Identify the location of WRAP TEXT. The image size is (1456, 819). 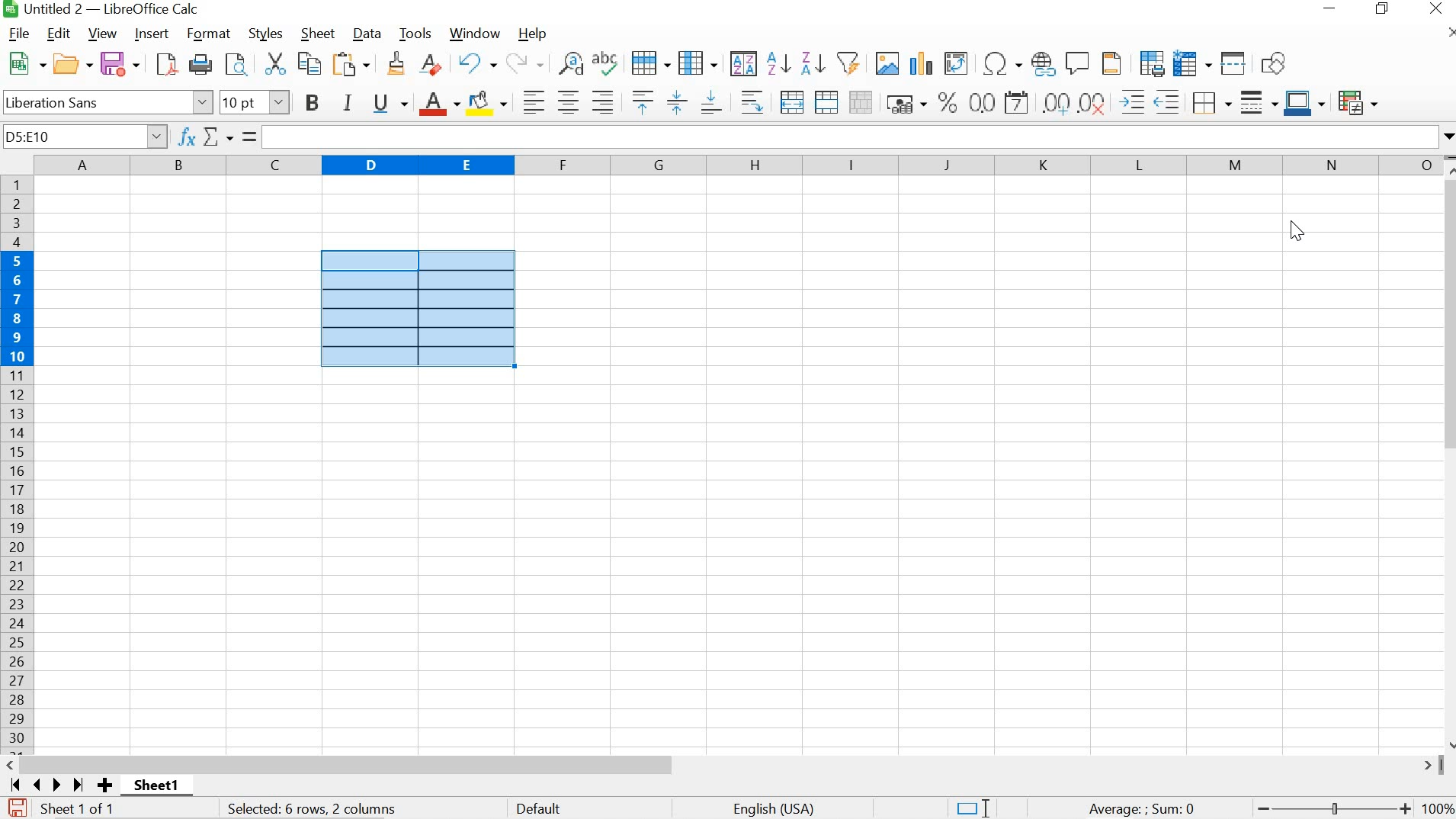
(752, 101).